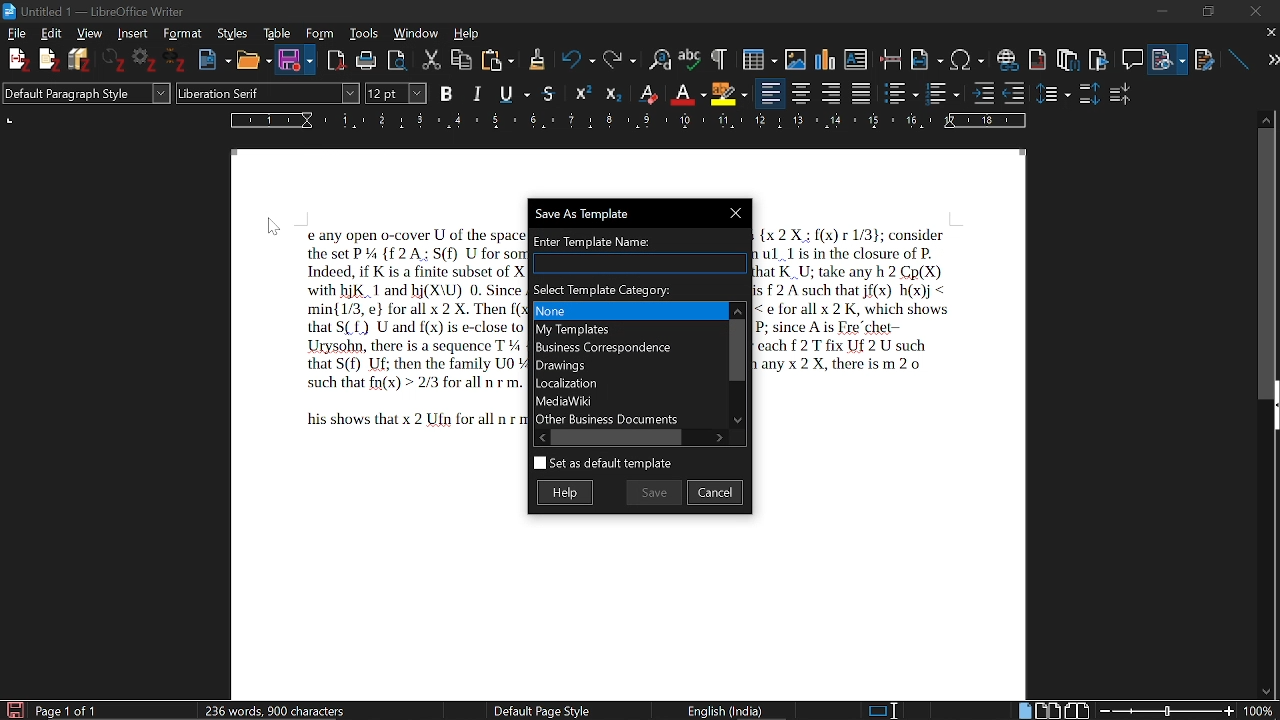 Image resolution: width=1280 pixels, height=720 pixels. Describe the element at coordinates (569, 492) in the screenshot. I see `Help` at that location.